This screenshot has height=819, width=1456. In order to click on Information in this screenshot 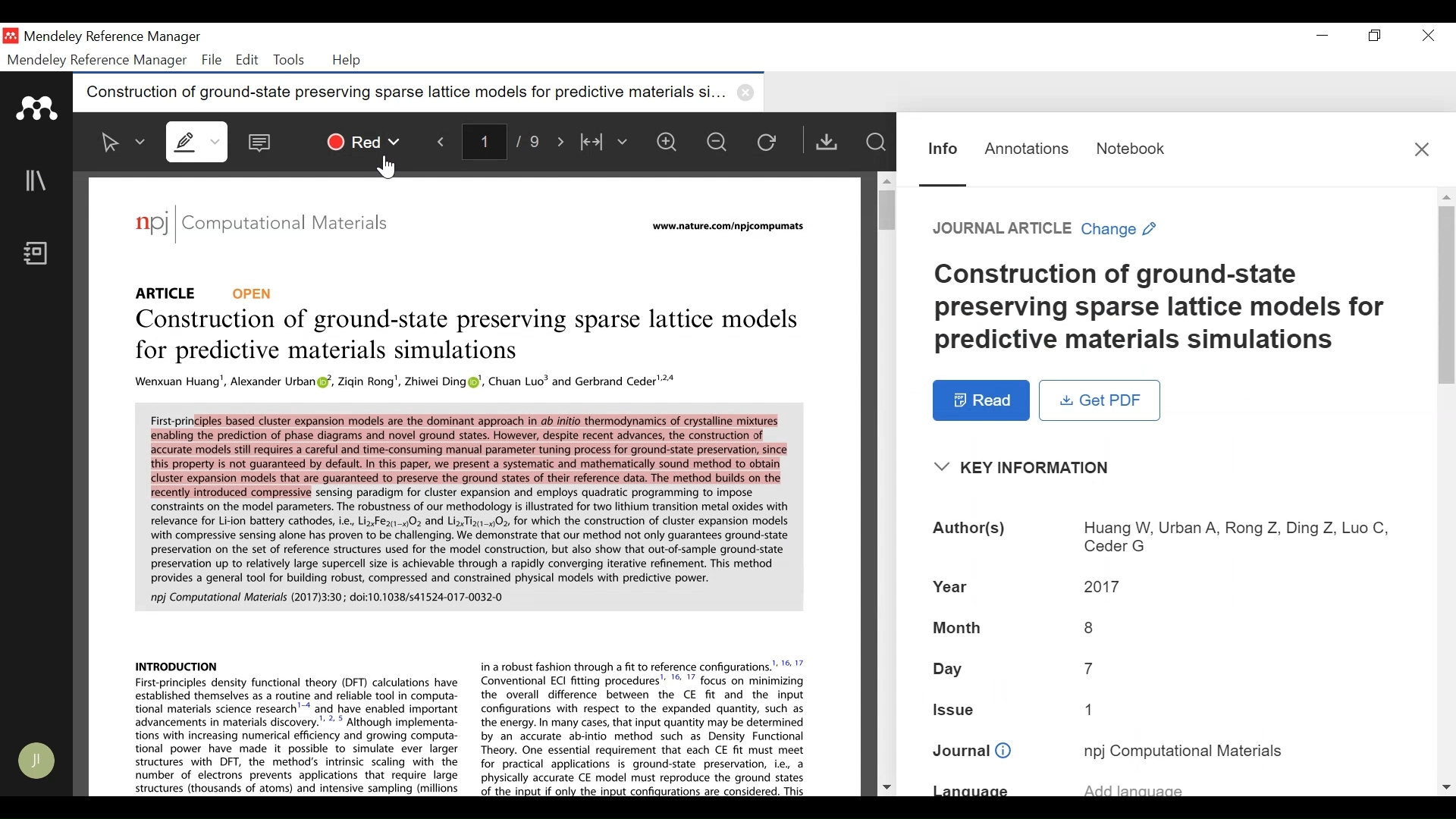, I will do `click(945, 158)`.